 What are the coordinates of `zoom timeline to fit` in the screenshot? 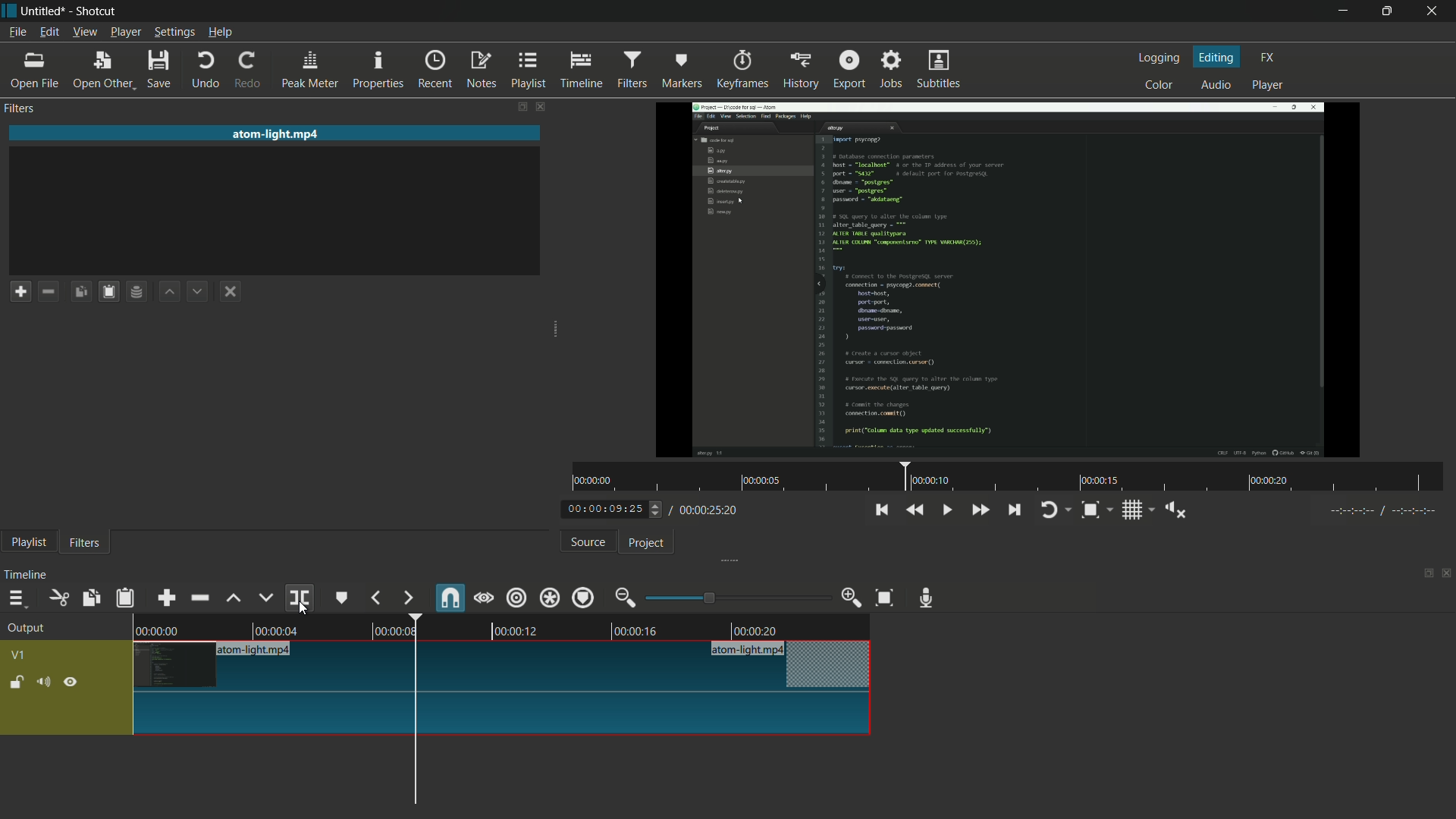 It's located at (1097, 510).